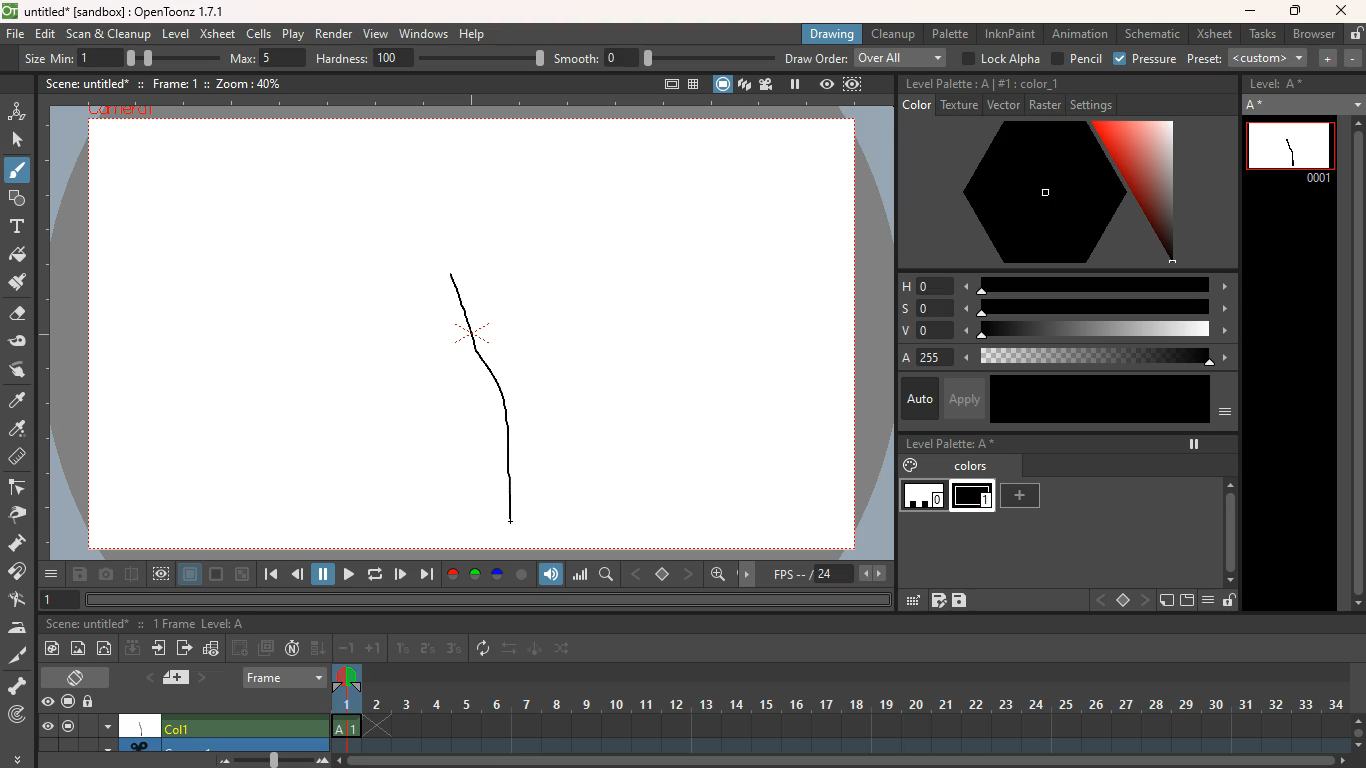 The width and height of the screenshot is (1366, 768). What do you see at coordinates (268, 575) in the screenshot?
I see `beggining` at bounding box center [268, 575].